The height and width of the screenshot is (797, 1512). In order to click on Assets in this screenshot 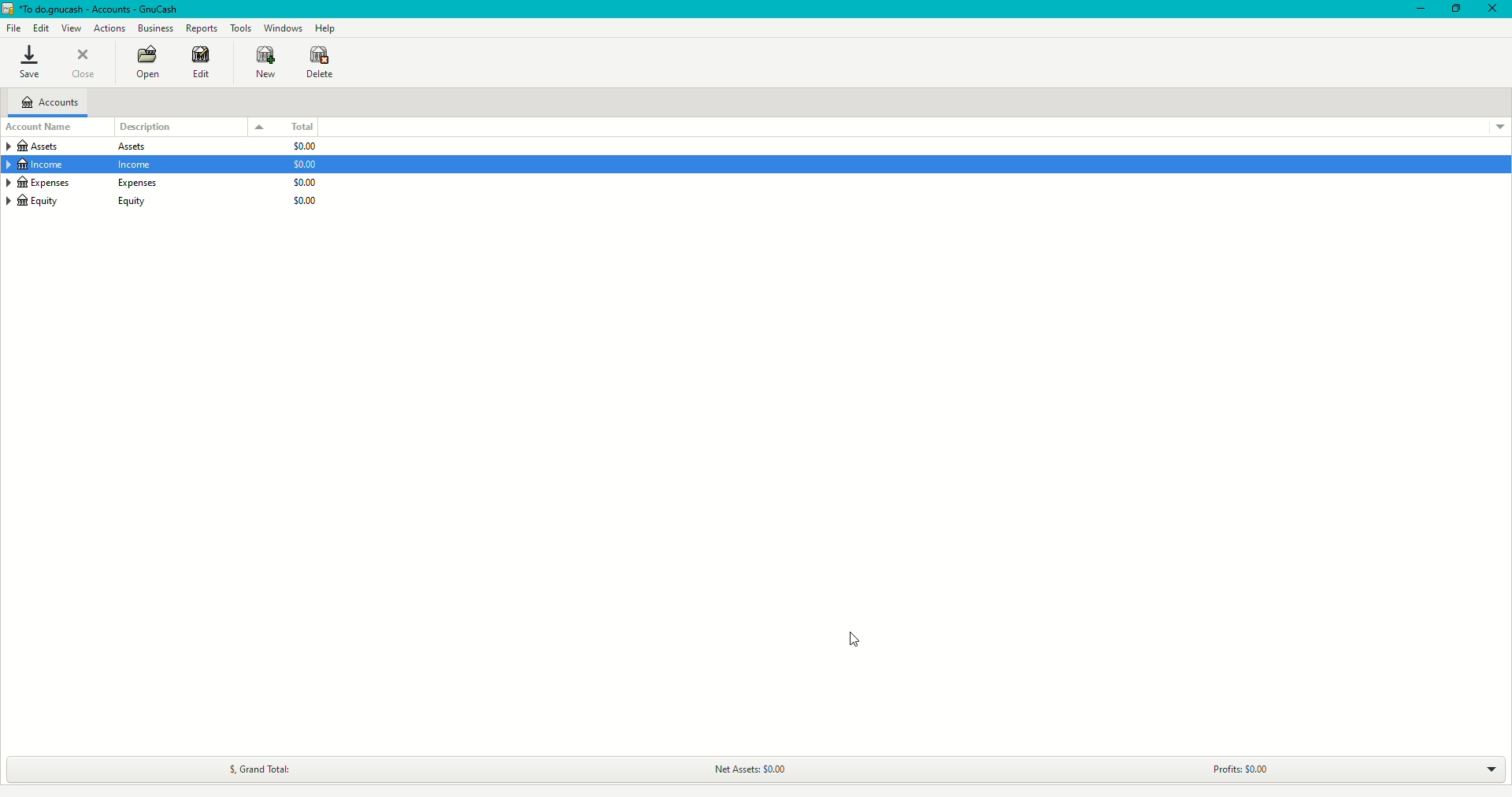, I will do `click(87, 146)`.